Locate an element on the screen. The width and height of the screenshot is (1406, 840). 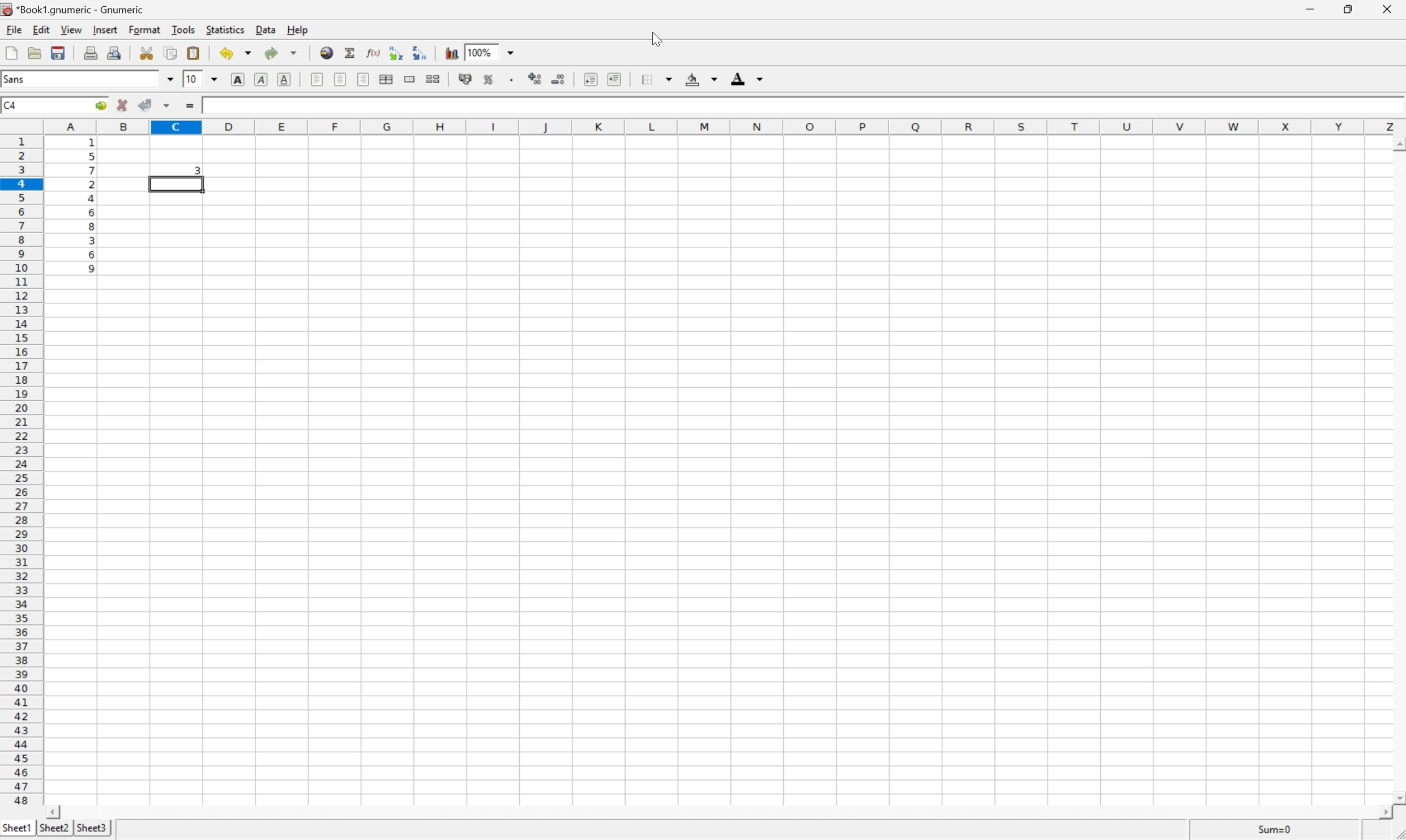
accept changes across selection is located at coordinates (169, 106).